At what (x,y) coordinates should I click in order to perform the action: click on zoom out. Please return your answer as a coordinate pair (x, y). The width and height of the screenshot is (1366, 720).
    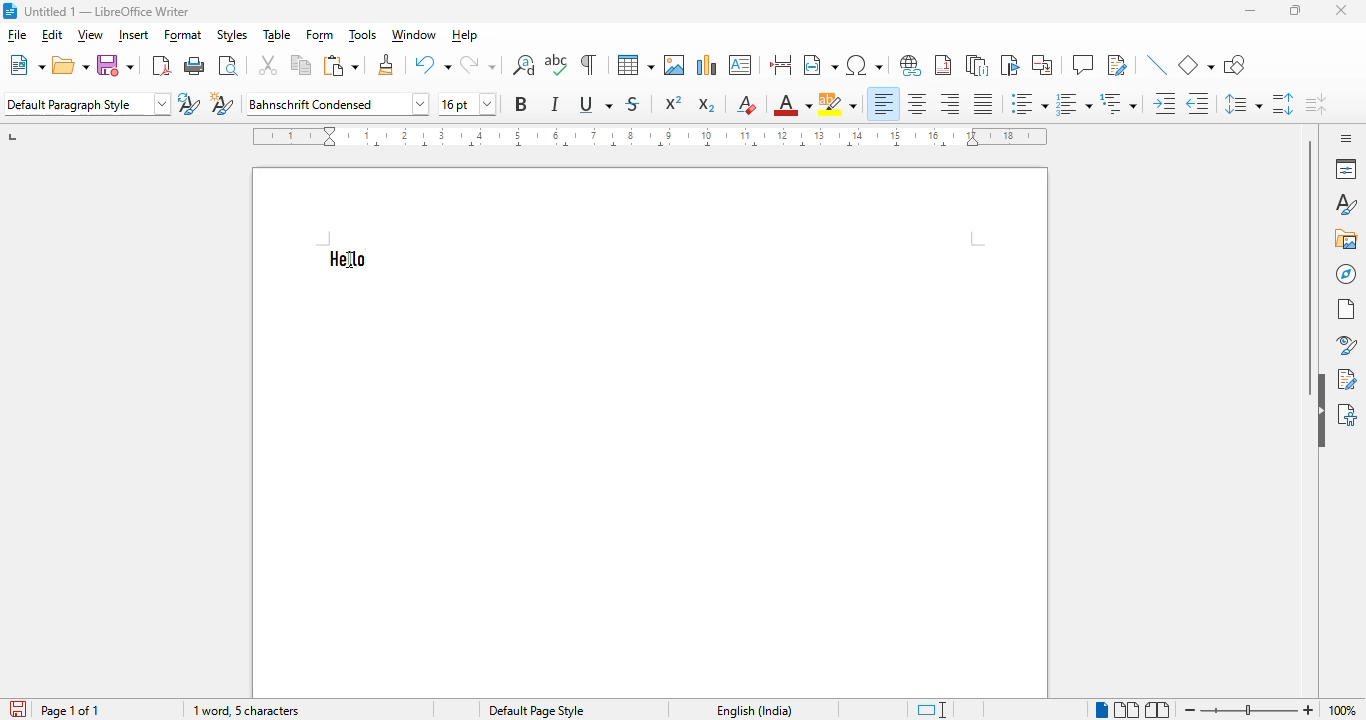
    Looking at the image, I should click on (1188, 709).